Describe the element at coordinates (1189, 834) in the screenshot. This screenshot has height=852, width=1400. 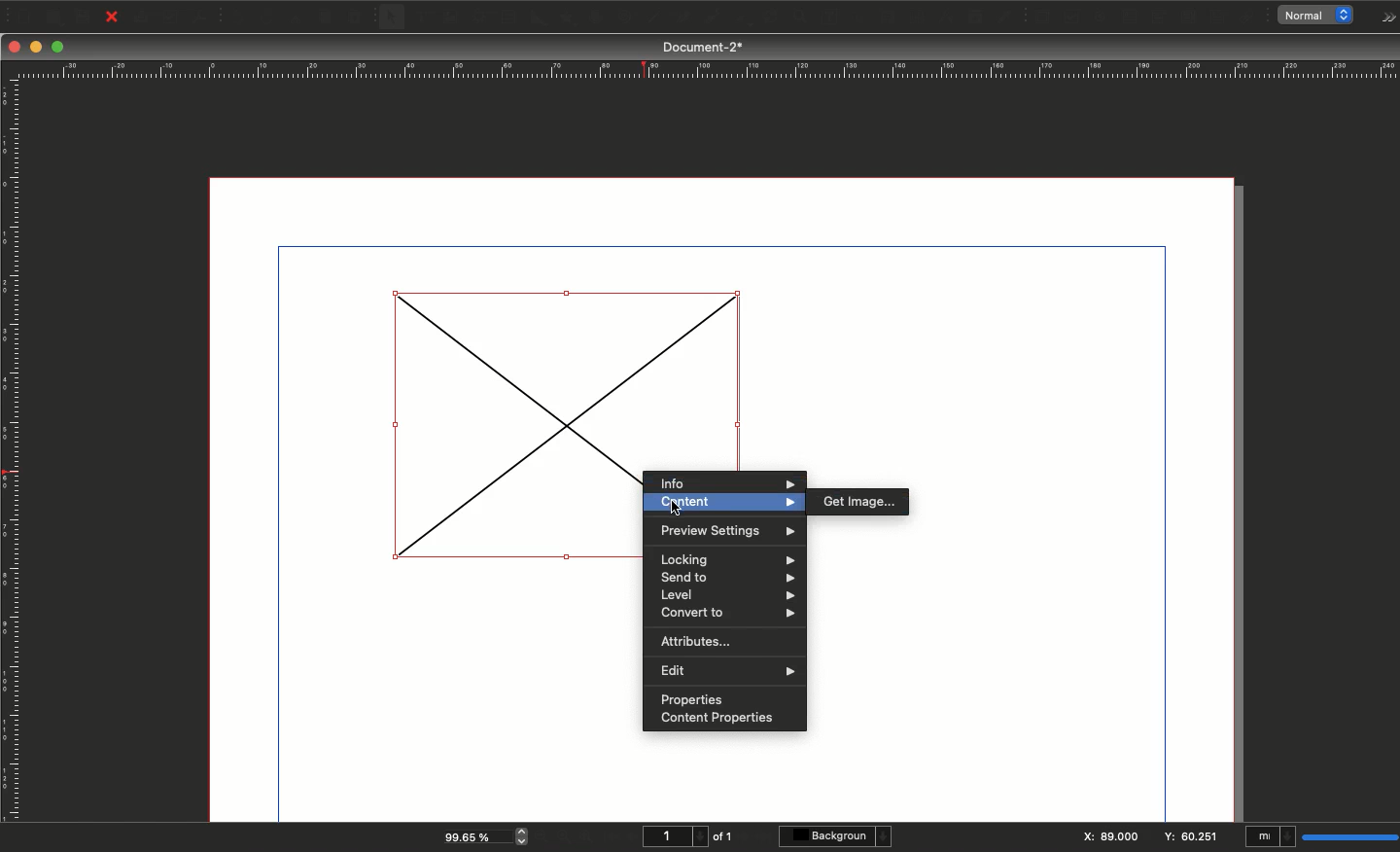
I see `y: 60.251` at that location.